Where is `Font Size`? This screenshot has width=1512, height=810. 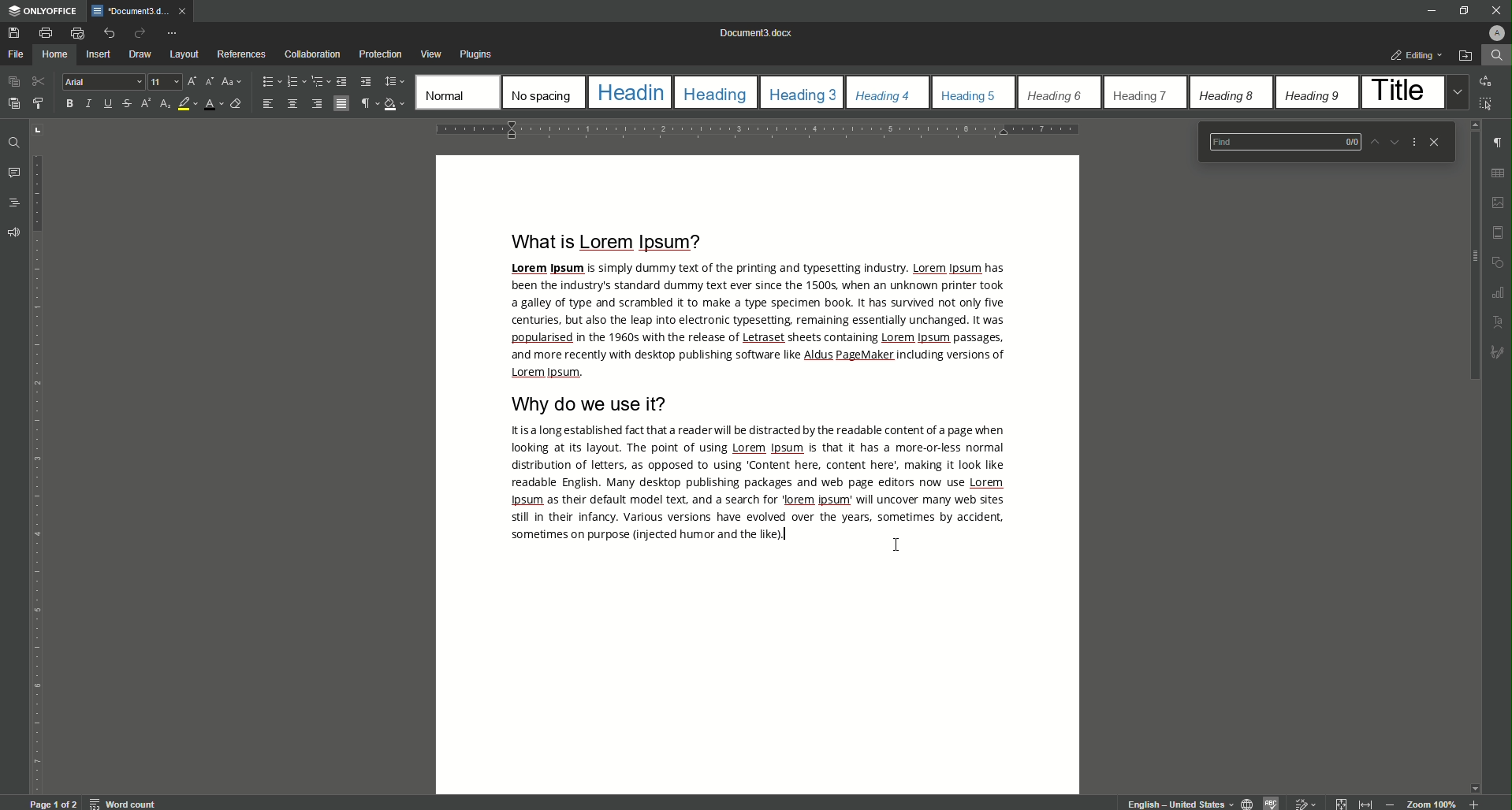
Font Size is located at coordinates (161, 82).